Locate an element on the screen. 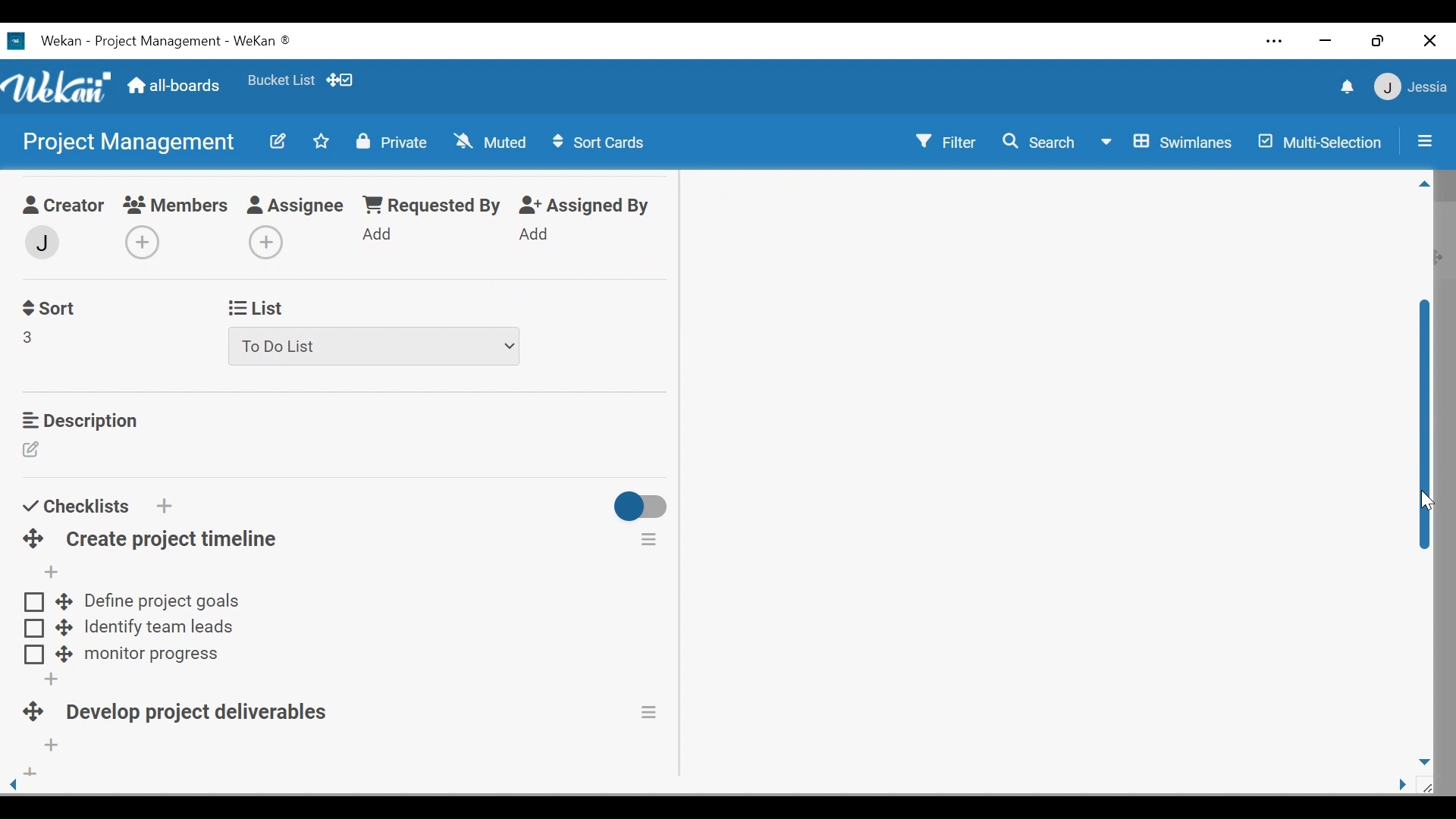 The width and height of the screenshot is (1456, 819). Vertical scroll bar is located at coordinates (1426, 428).